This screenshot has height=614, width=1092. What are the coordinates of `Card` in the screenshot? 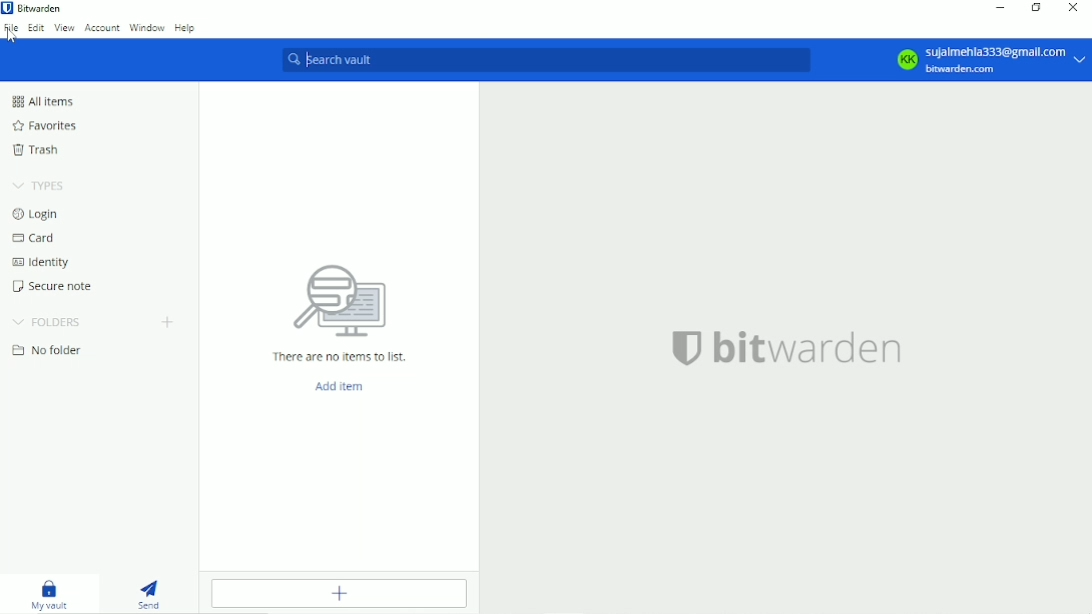 It's located at (39, 239).